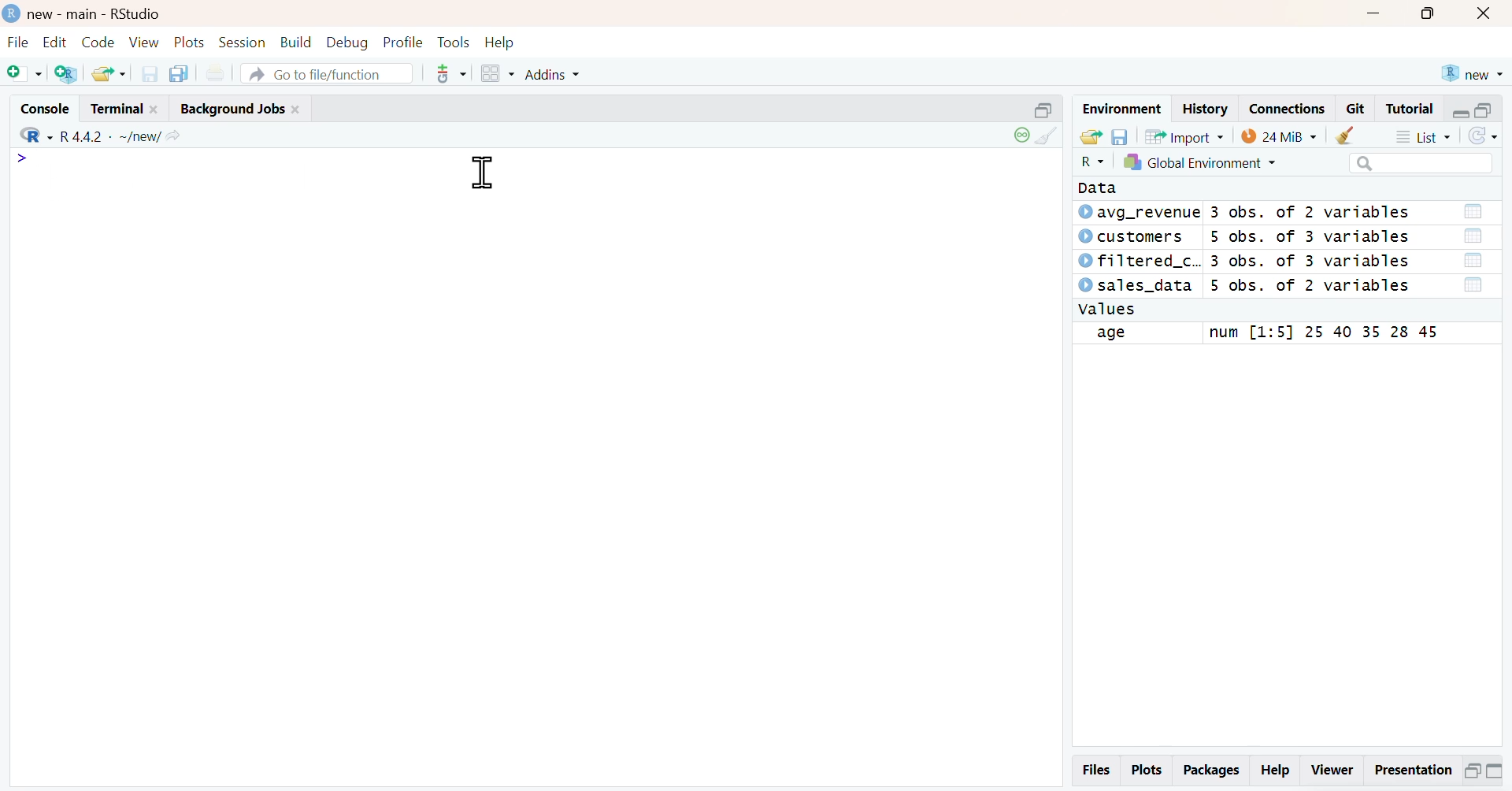 The height and width of the screenshot is (791, 1512). What do you see at coordinates (180, 74) in the screenshot?
I see `Save all open documents` at bounding box center [180, 74].